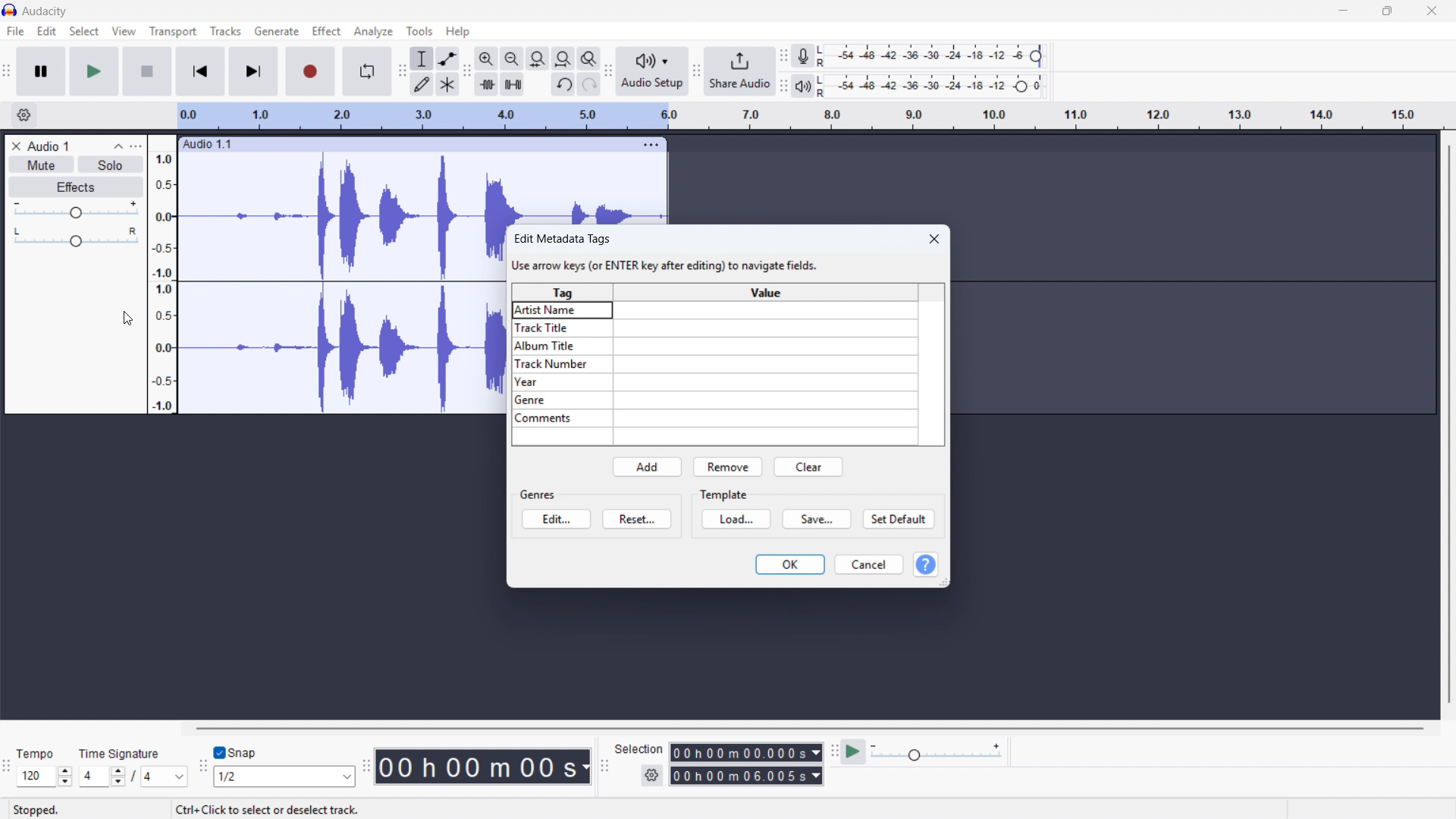 This screenshot has width=1456, height=819. What do you see at coordinates (24, 115) in the screenshot?
I see `timeline settings` at bounding box center [24, 115].